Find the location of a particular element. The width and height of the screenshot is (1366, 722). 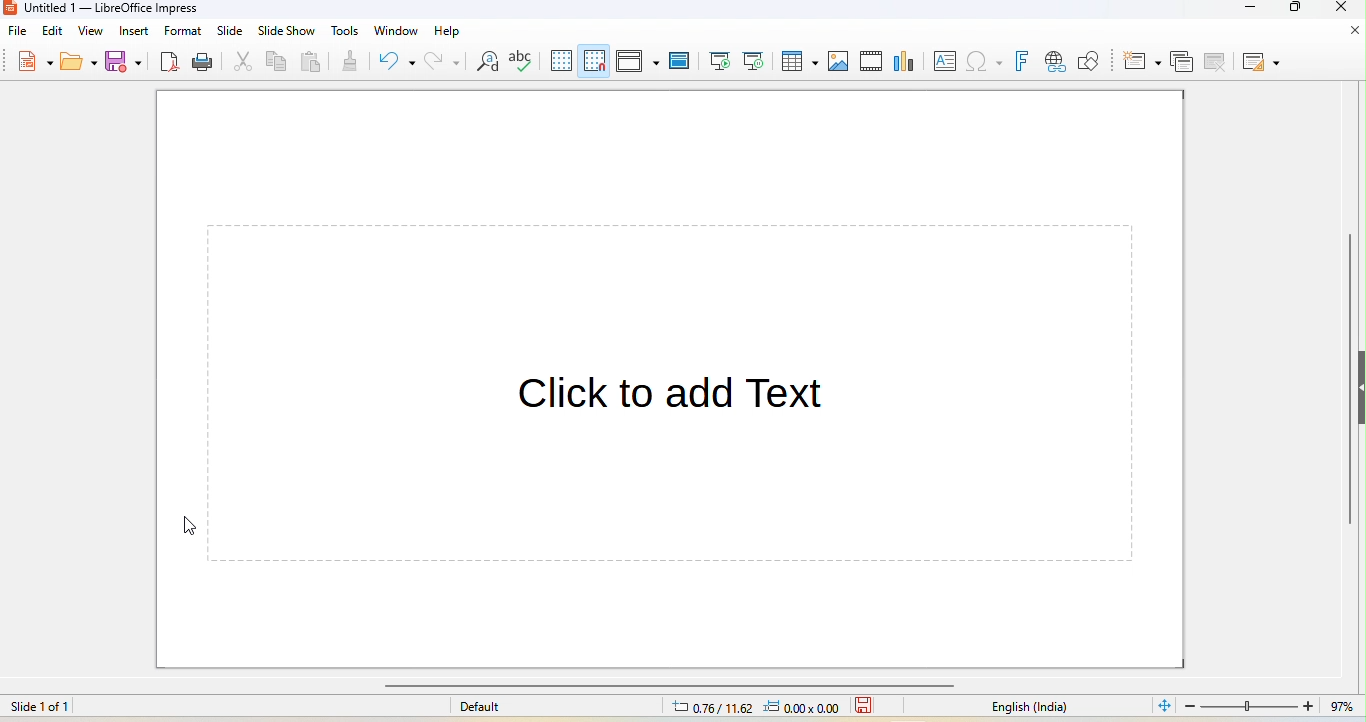

0.00x0.00 (Object position) is located at coordinates (802, 710).